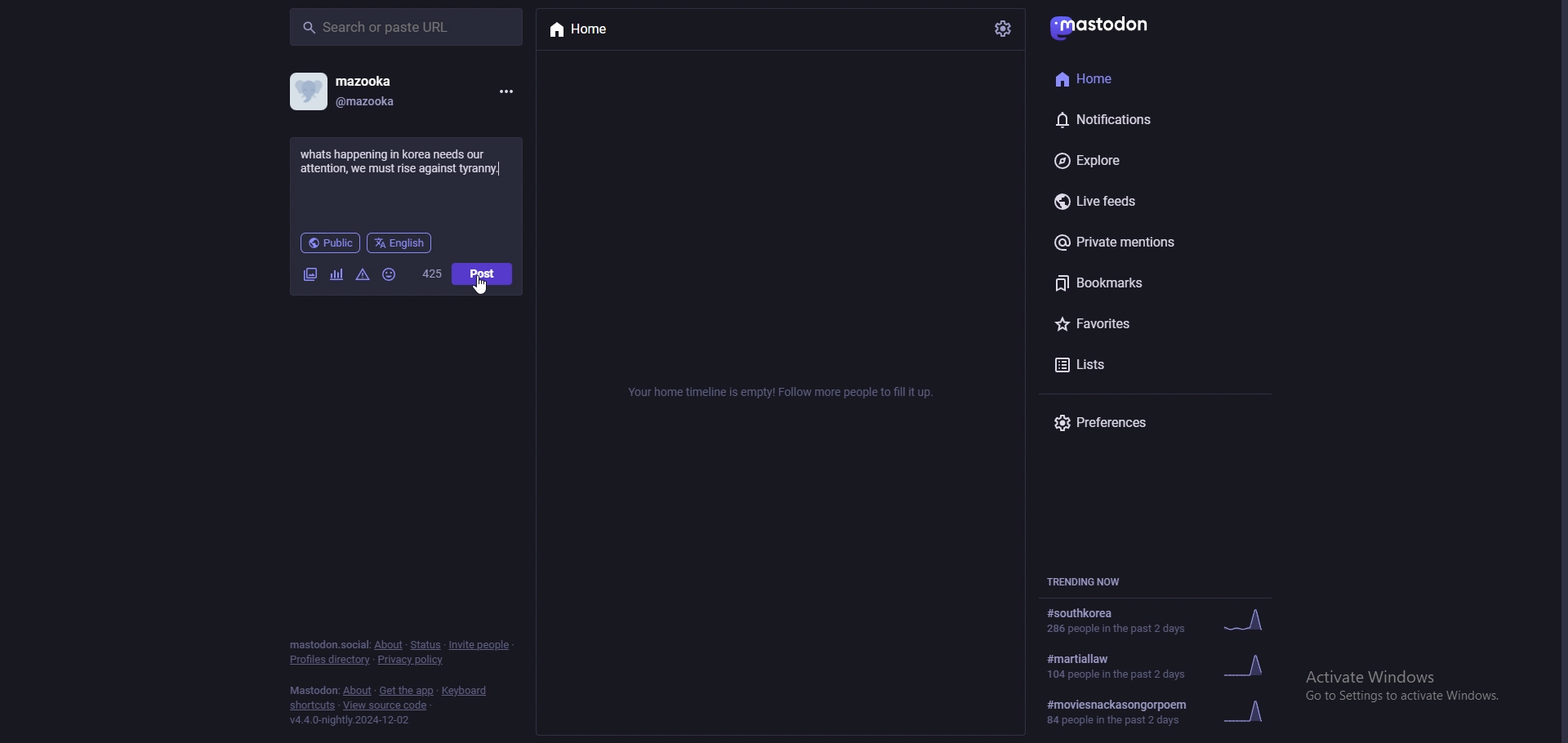 This screenshot has height=743, width=1568. Describe the element at coordinates (311, 706) in the screenshot. I see `shortcuts` at that location.